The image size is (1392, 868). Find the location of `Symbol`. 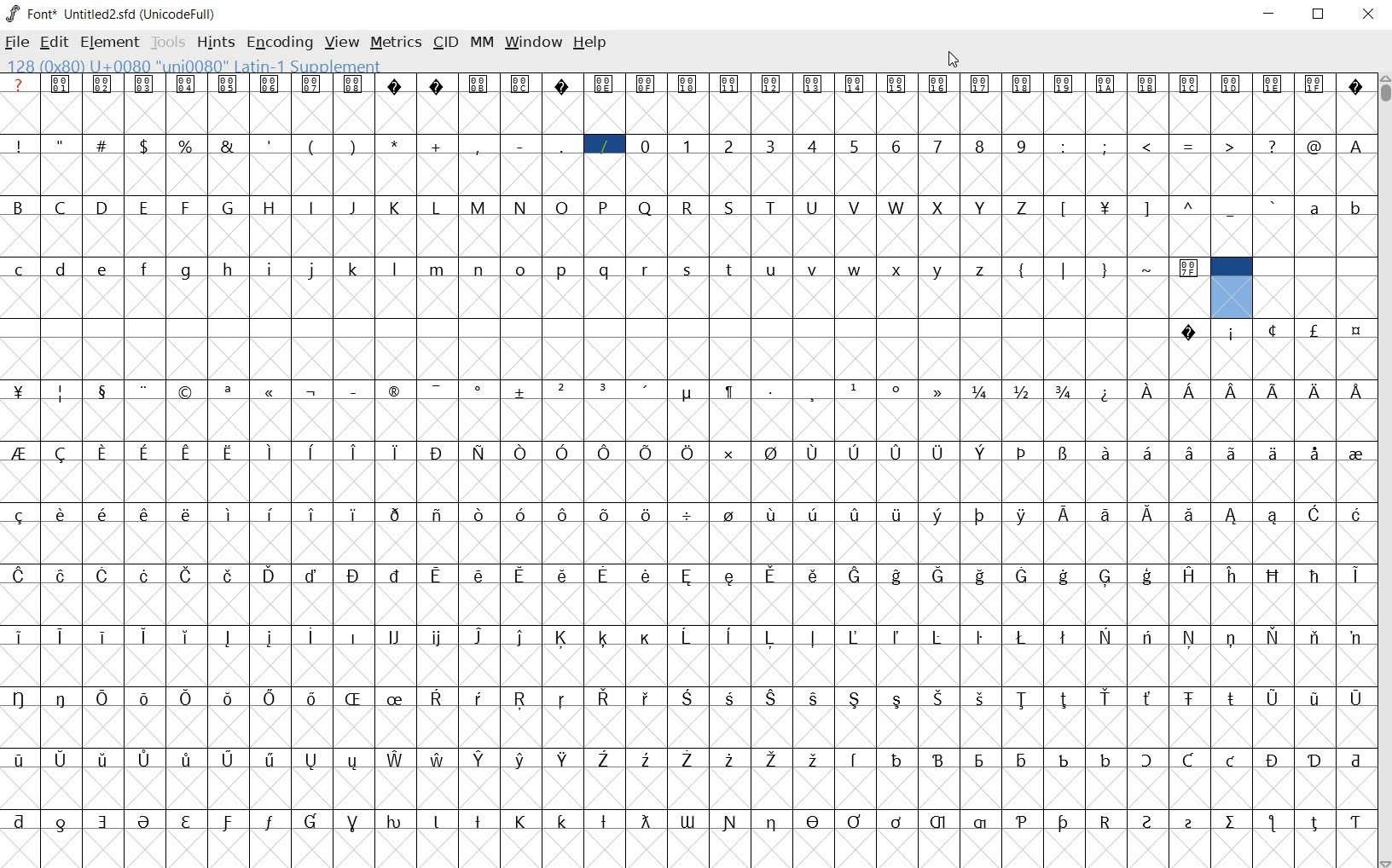

Symbol is located at coordinates (1147, 390).